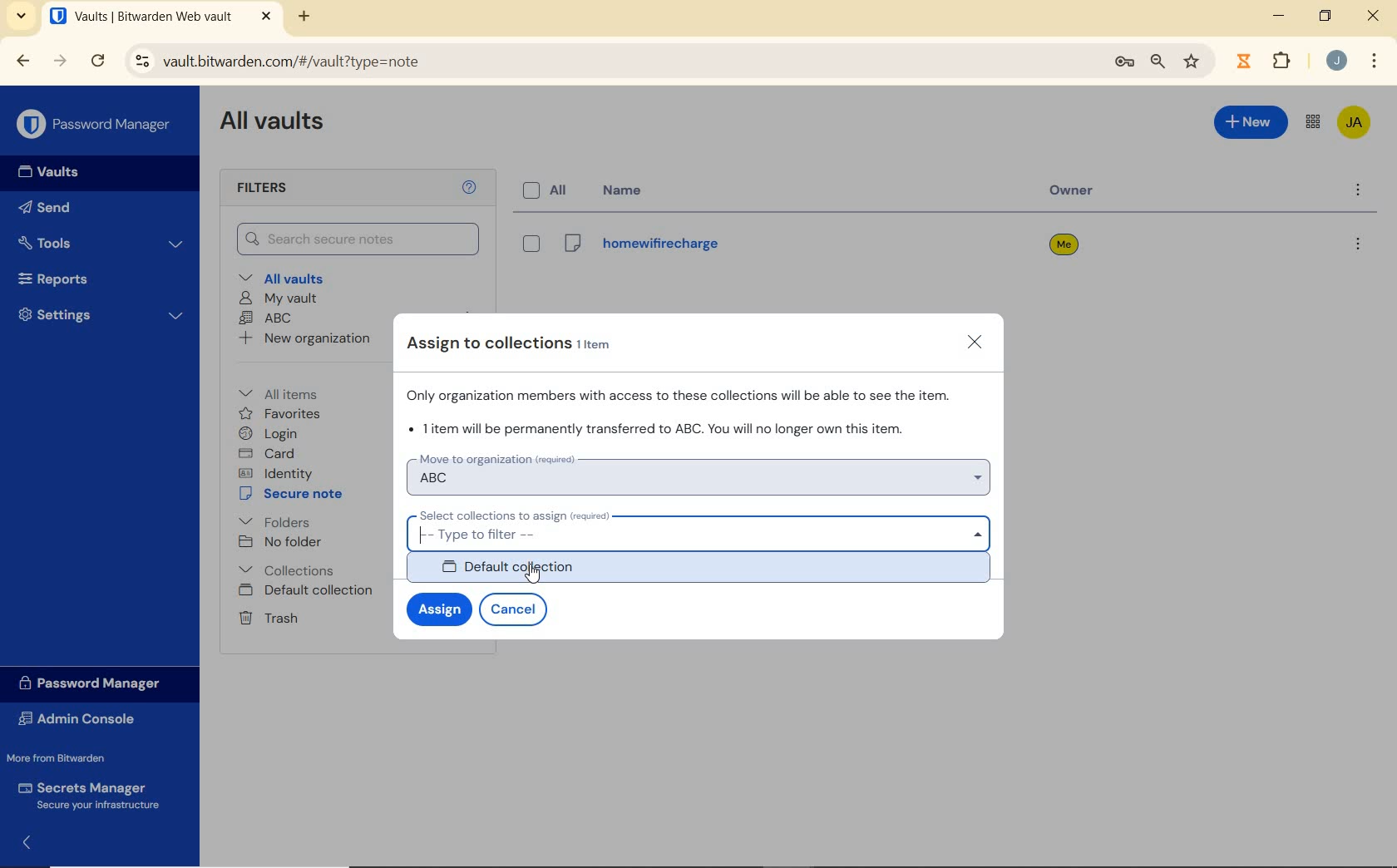 The image size is (1397, 868). Describe the element at coordinates (700, 472) in the screenshot. I see `move to organization` at that location.